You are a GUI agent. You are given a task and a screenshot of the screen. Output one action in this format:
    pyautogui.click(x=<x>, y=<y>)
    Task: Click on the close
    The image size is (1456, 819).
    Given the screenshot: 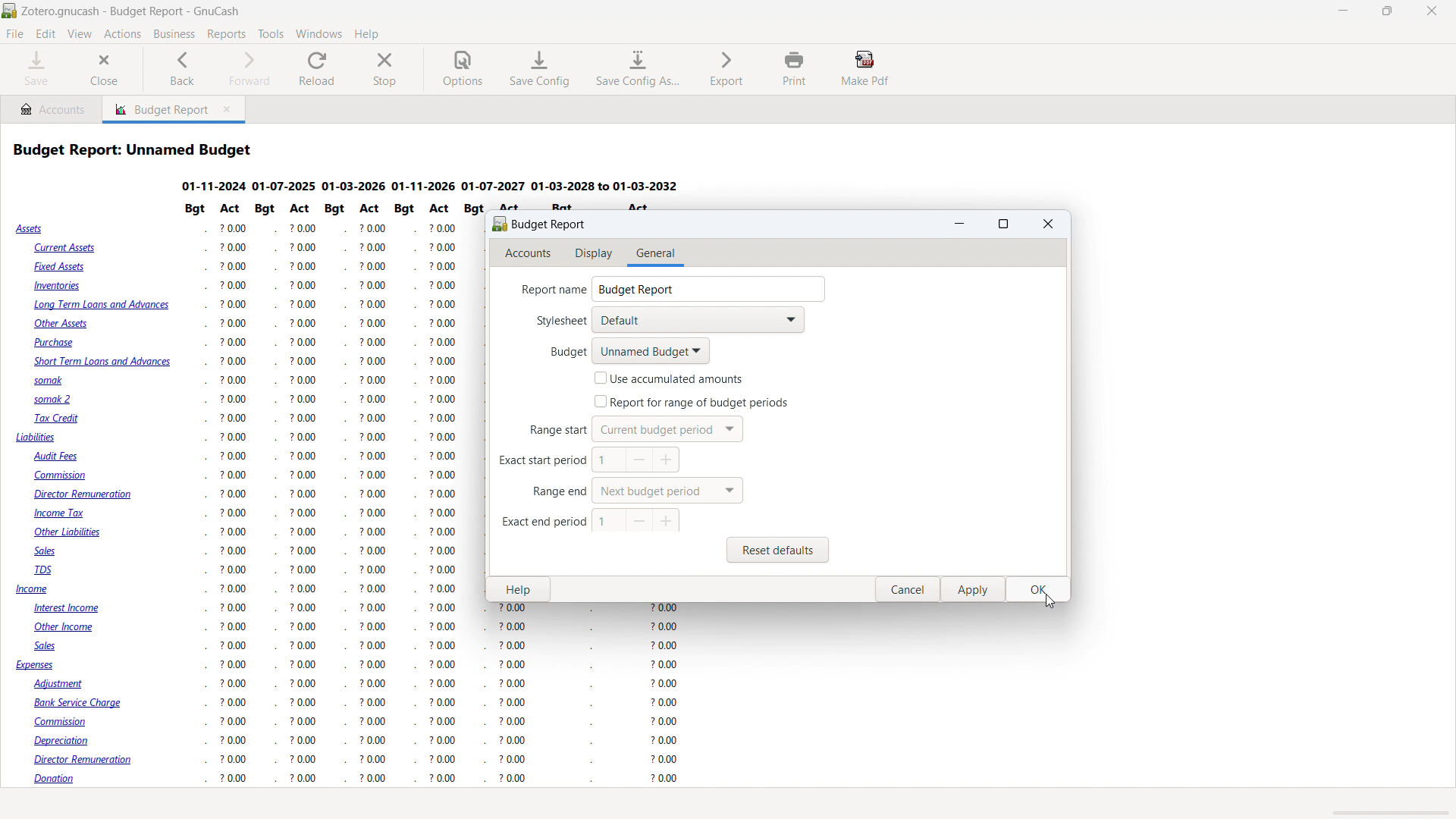 What is the action you would take?
    pyautogui.click(x=1048, y=223)
    